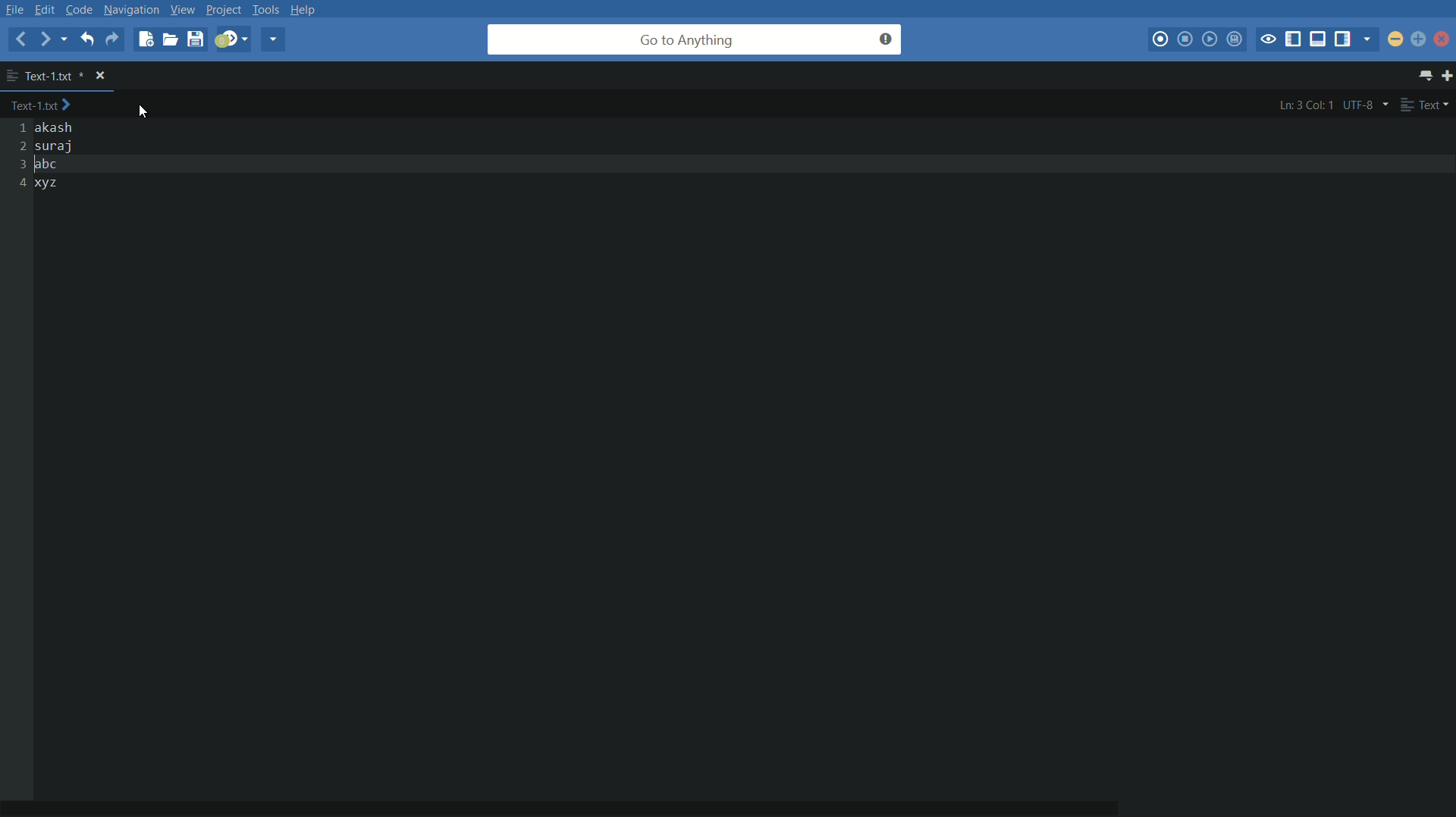 The width and height of the screenshot is (1456, 817). What do you see at coordinates (1210, 39) in the screenshot?
I see `play last macro` at bounding box center [1210, 39].